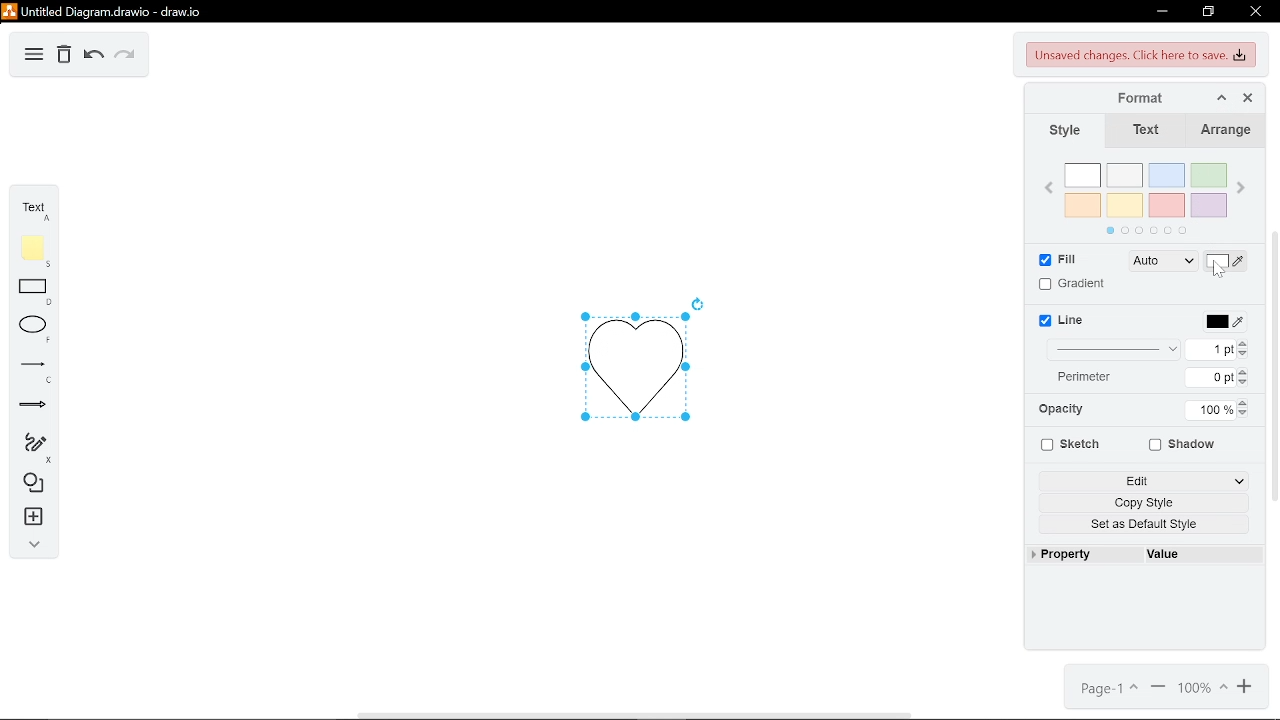  Describe the element at coordinates (32, 448) in the screenshot. I see `freehand` at that location.